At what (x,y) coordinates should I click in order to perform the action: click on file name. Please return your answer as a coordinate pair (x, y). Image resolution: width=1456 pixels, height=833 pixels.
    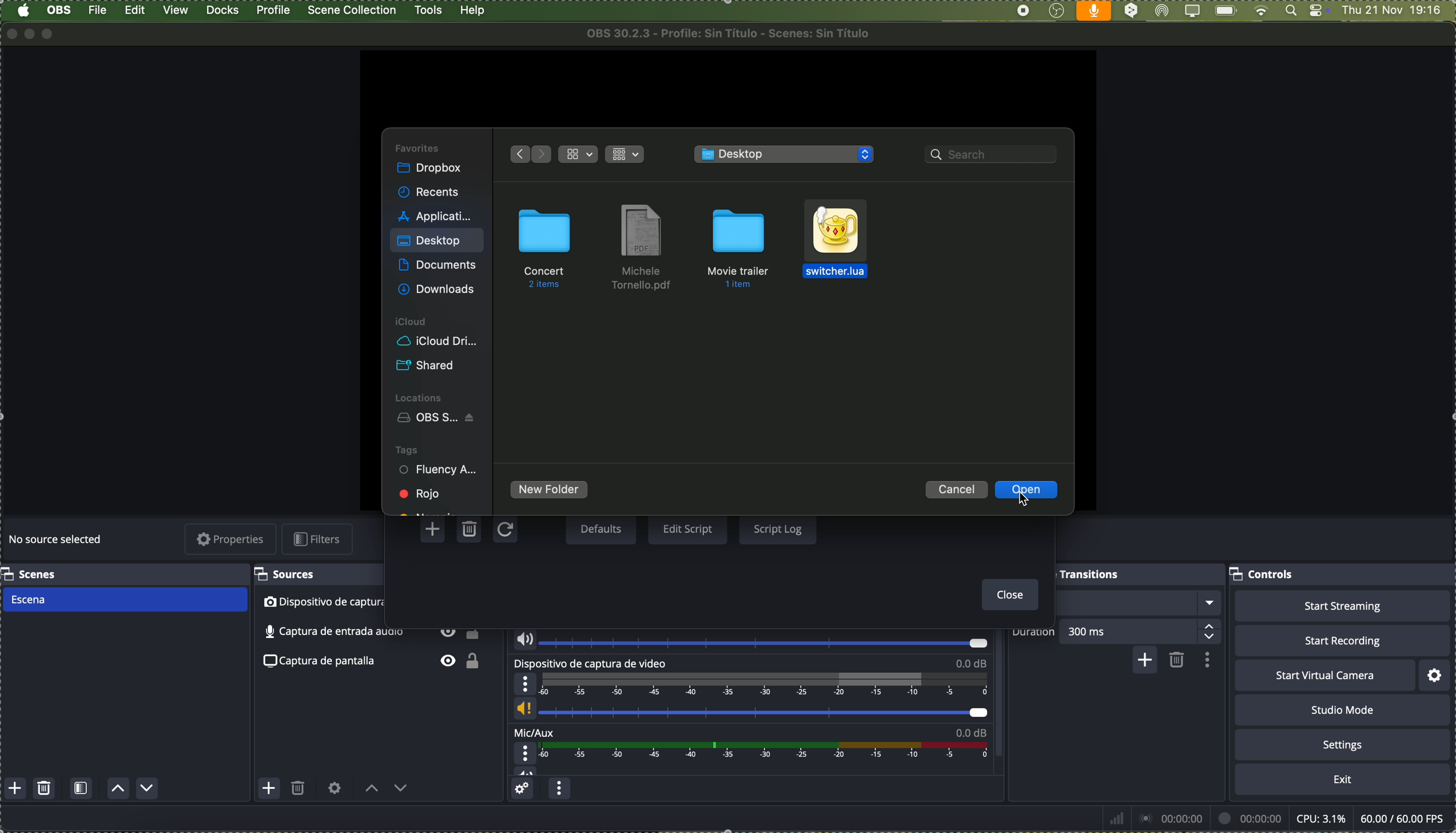
    Looking at the image, I should click on (733, 33).